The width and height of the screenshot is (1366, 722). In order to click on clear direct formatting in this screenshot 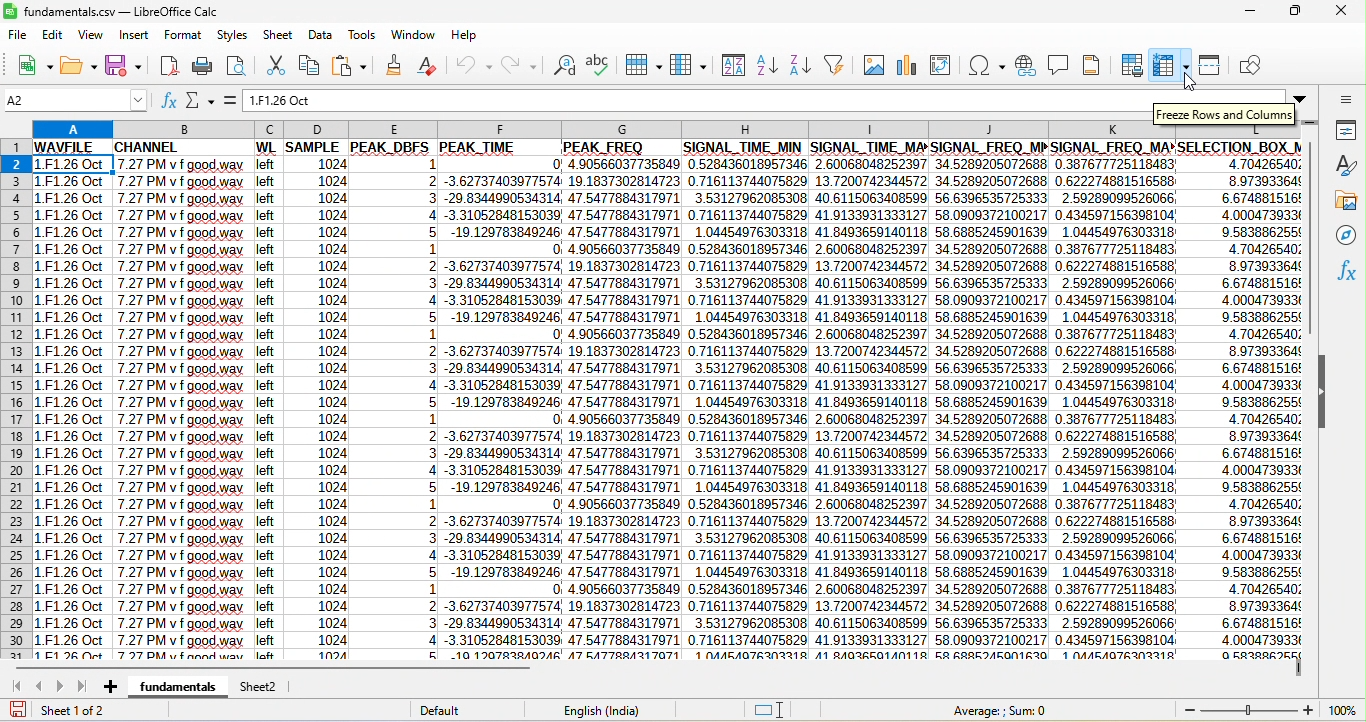, I will do `click(431, 66)`.